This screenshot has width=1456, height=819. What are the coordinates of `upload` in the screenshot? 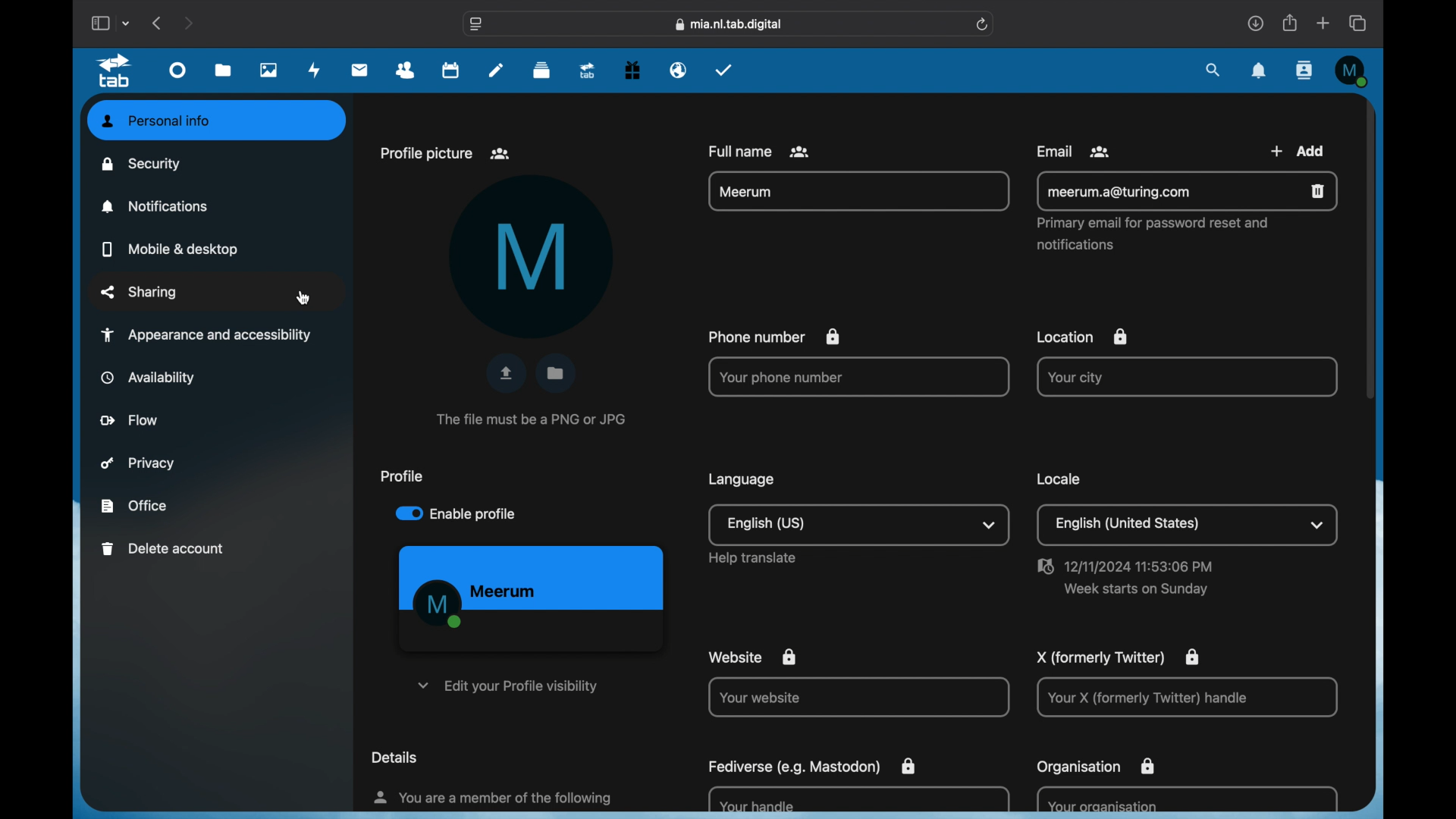 It's located at (508, 372).